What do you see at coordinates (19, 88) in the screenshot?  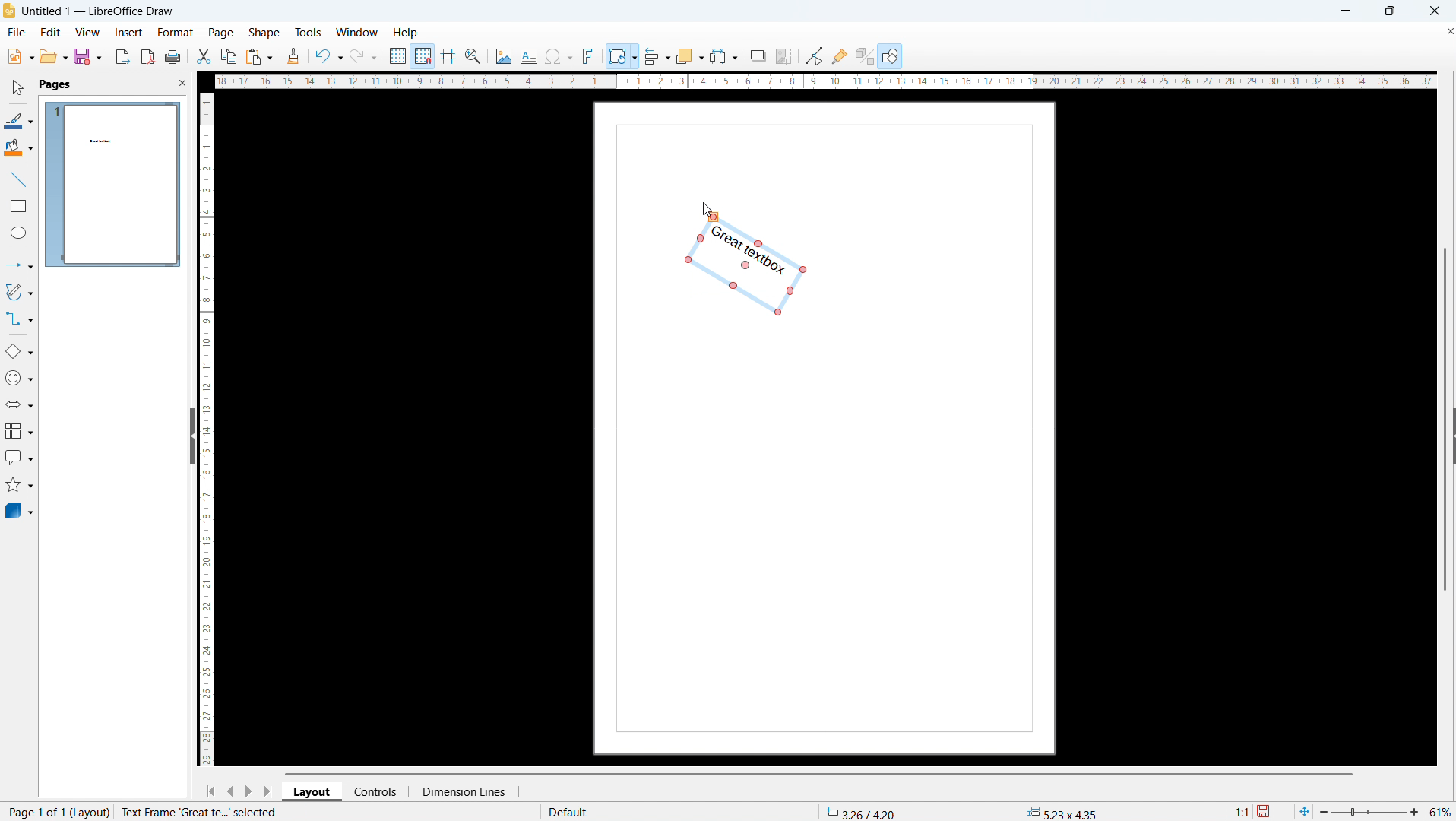 I see `select` at bounding box center [19, 88].